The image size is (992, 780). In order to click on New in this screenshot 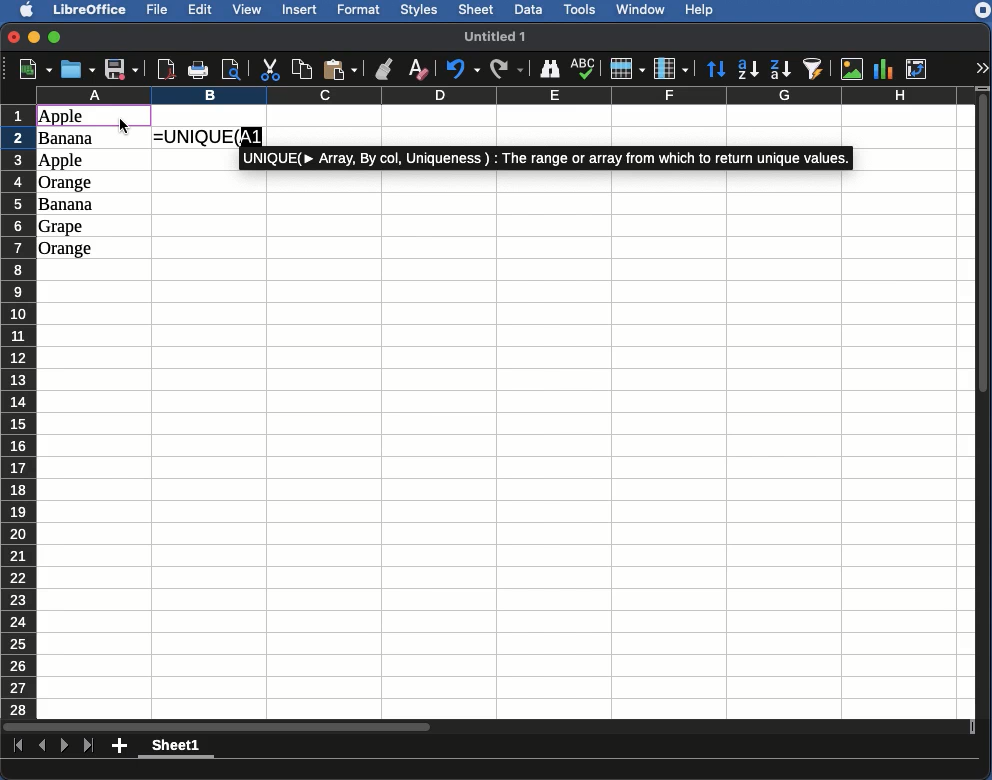, I will do `click(30, 69)`.